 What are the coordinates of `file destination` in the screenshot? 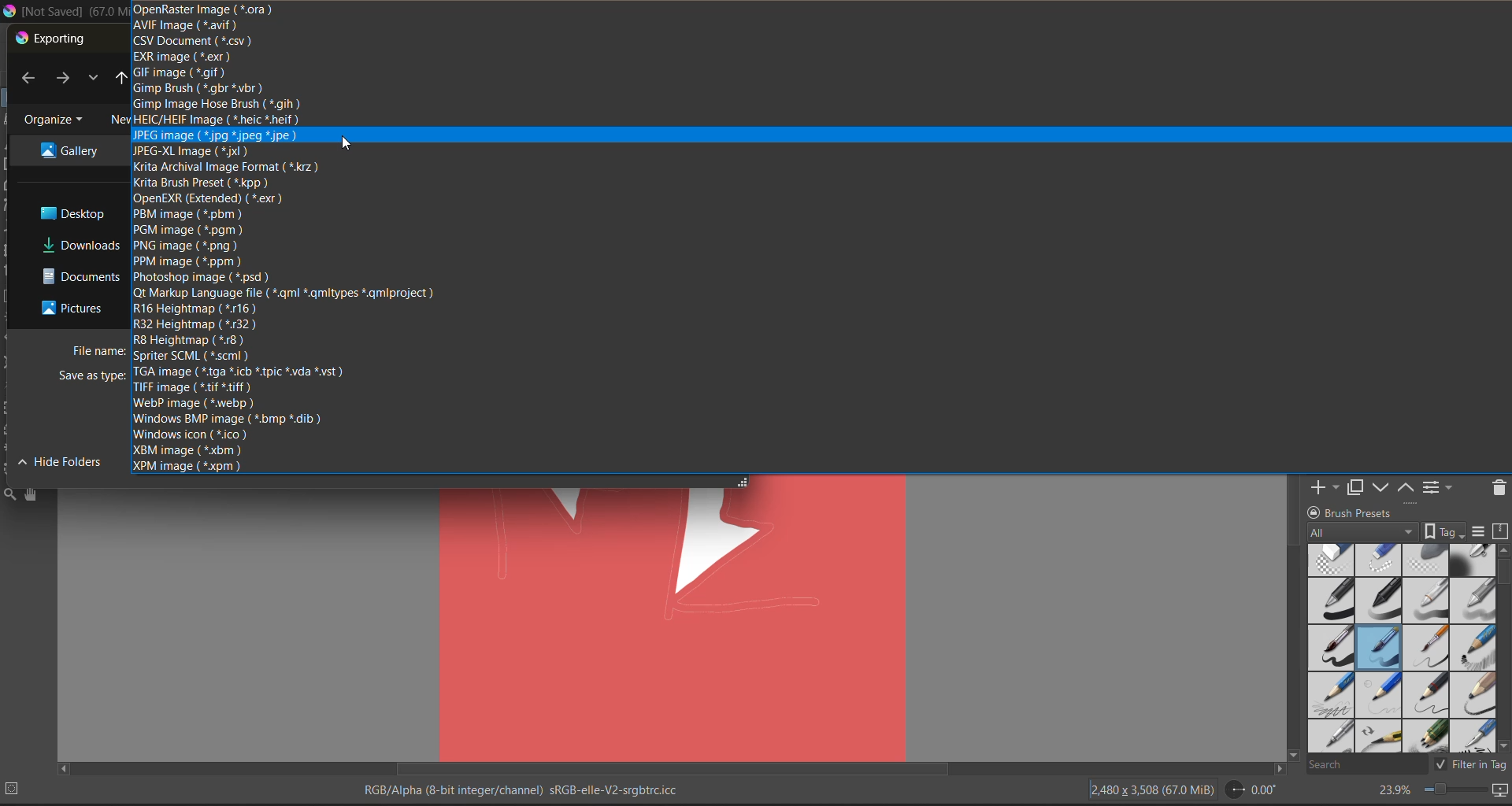 It's located at (80, 246).